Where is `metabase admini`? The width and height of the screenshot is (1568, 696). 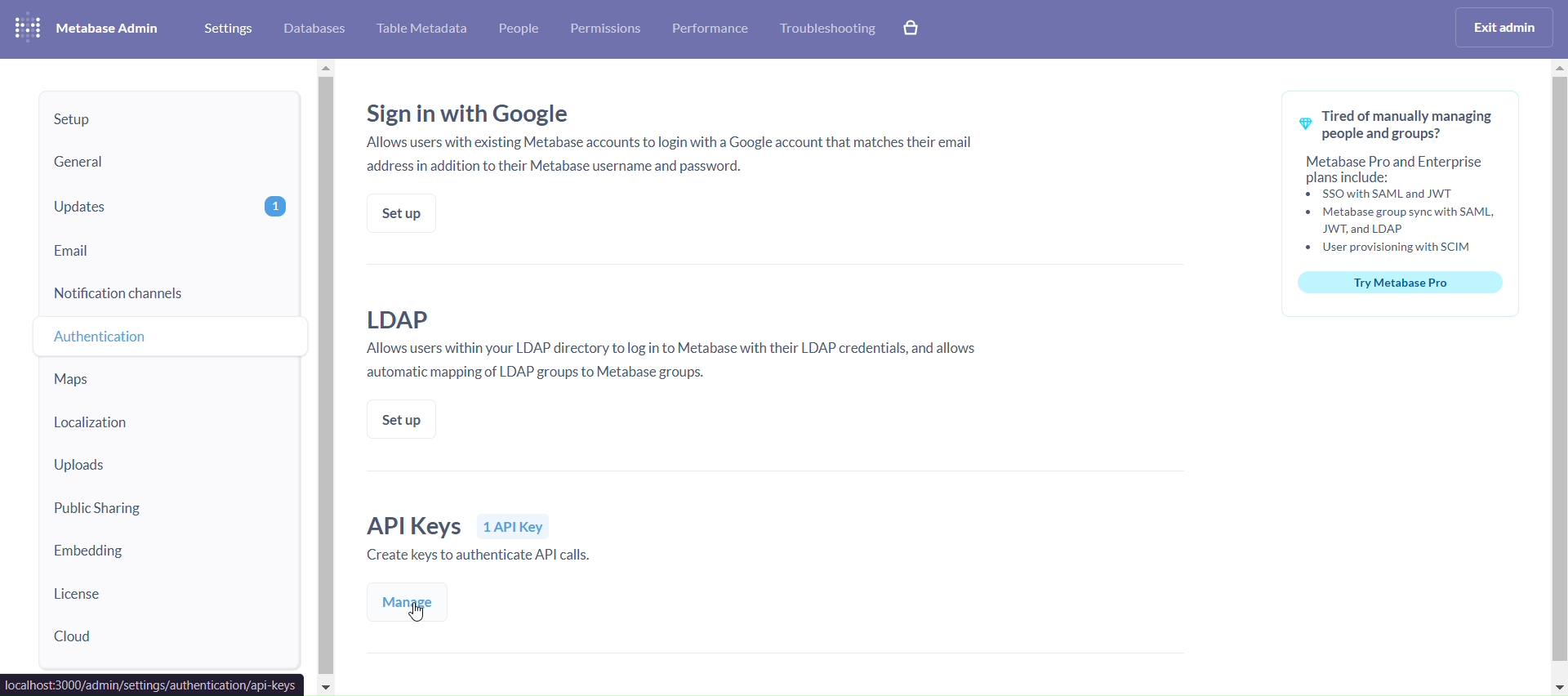 metabase admini is located at coordinates (109, 29).